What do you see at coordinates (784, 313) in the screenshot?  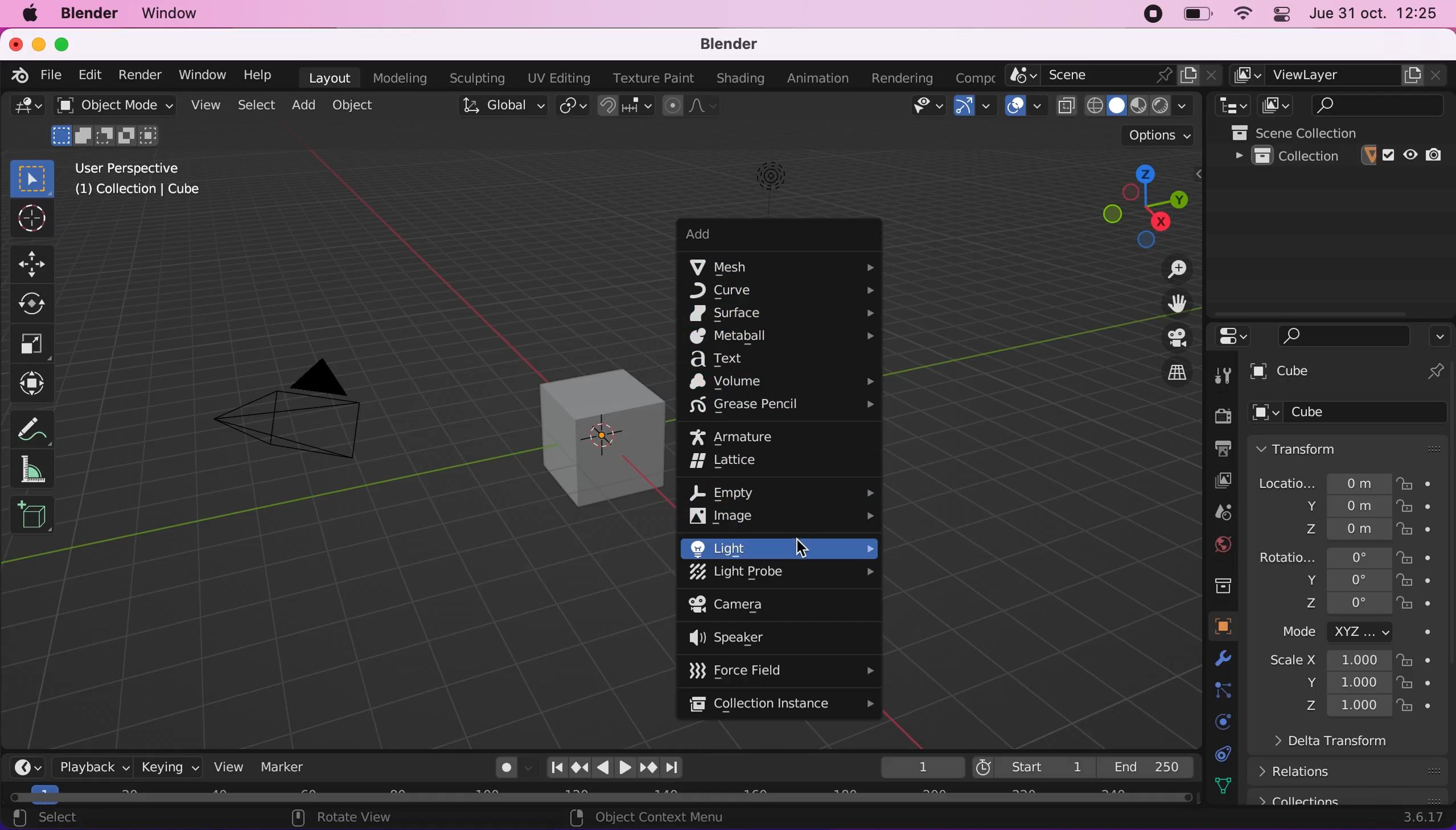 I see `surface` at bounding box center [784, 313].